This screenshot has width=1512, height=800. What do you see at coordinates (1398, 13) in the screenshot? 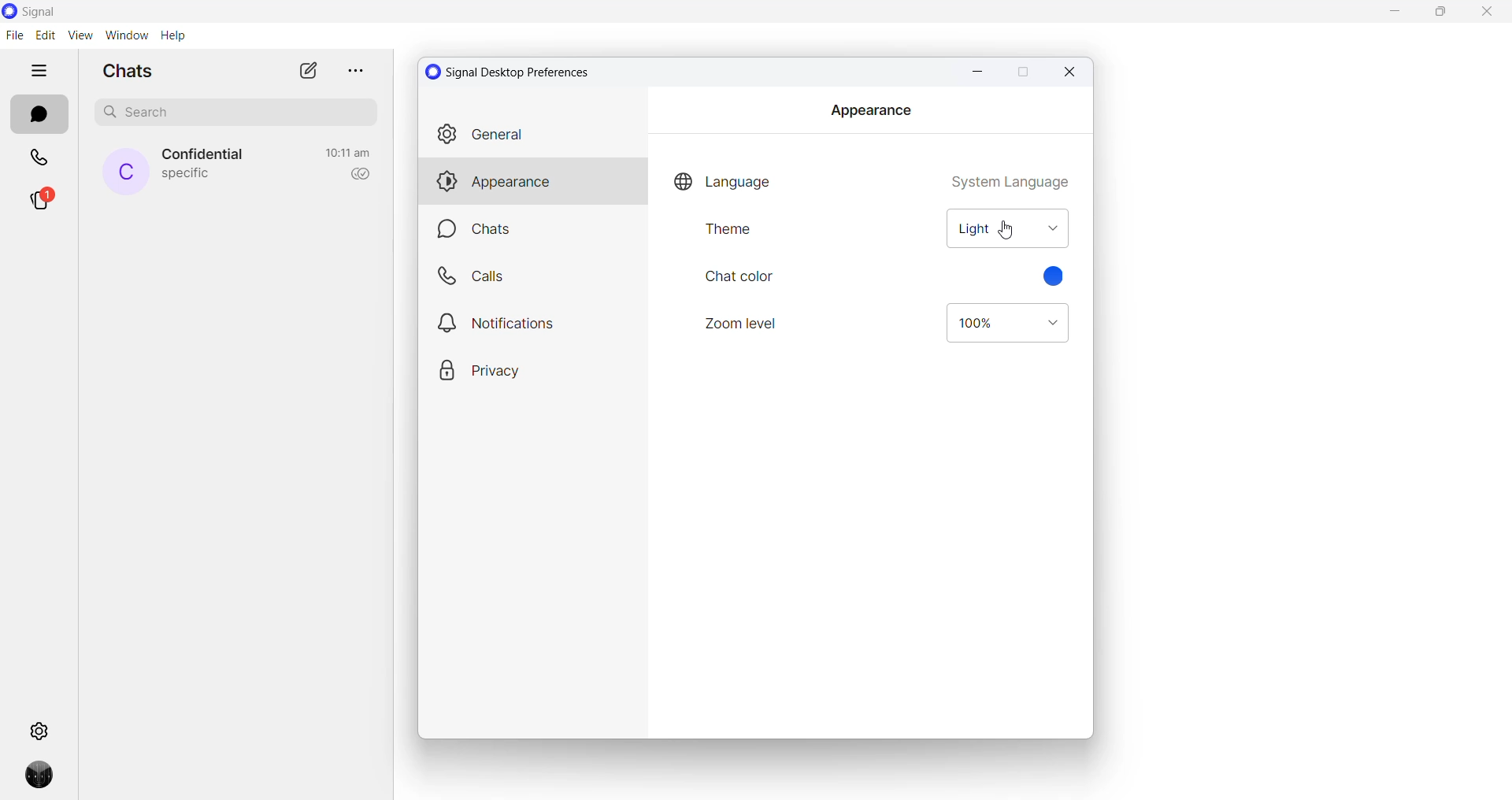
I see `minimize` at bounding box center [1398, 13].